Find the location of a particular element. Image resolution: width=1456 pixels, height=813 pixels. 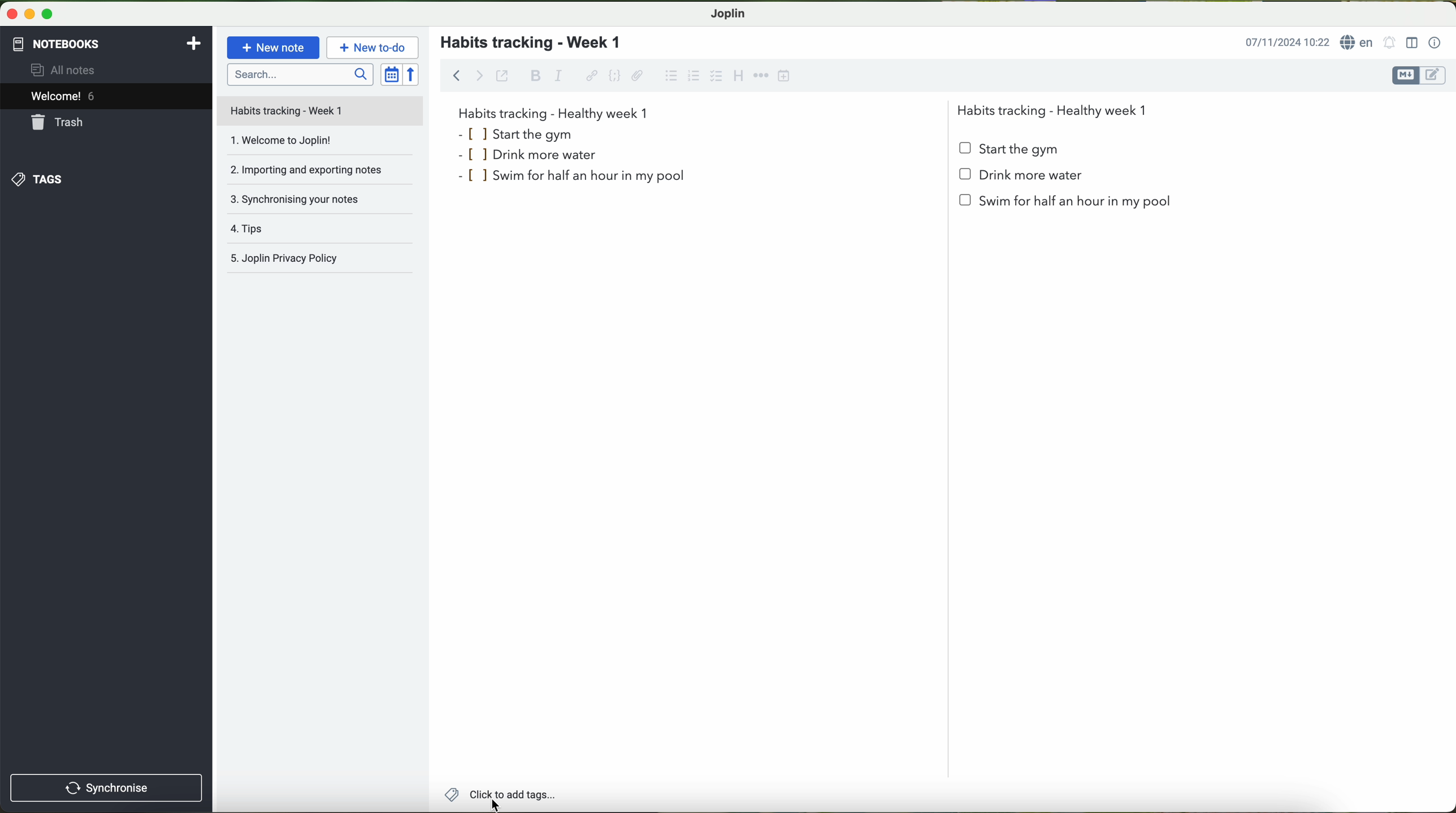

tips is located at coordinates (322, 231).